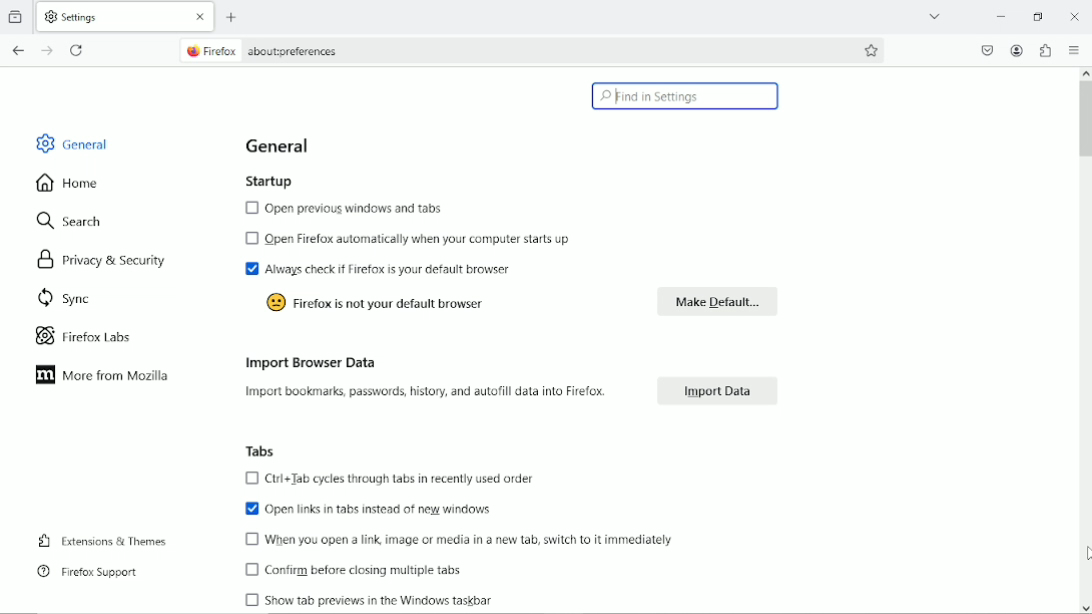 This screenshot has height=614, width=1092. Describe the element at coordinates (686, 97) in the screenshot. I see `Find in settings` at that location.